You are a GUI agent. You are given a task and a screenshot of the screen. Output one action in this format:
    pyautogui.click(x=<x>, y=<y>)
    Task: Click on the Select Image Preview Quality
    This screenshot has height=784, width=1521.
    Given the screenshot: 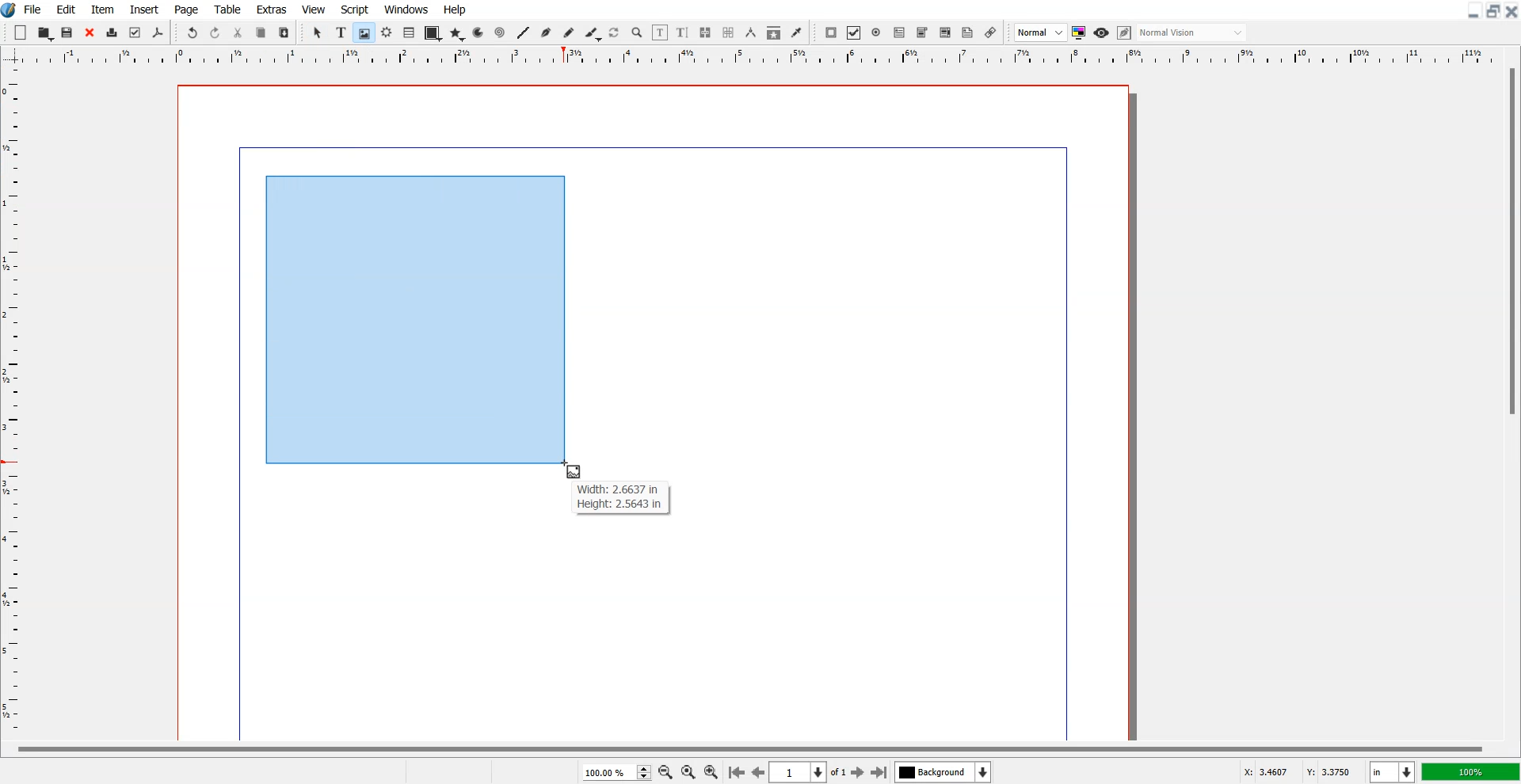 What is the action you would take?
    pyautogui.click(x=1040, y=32)
    